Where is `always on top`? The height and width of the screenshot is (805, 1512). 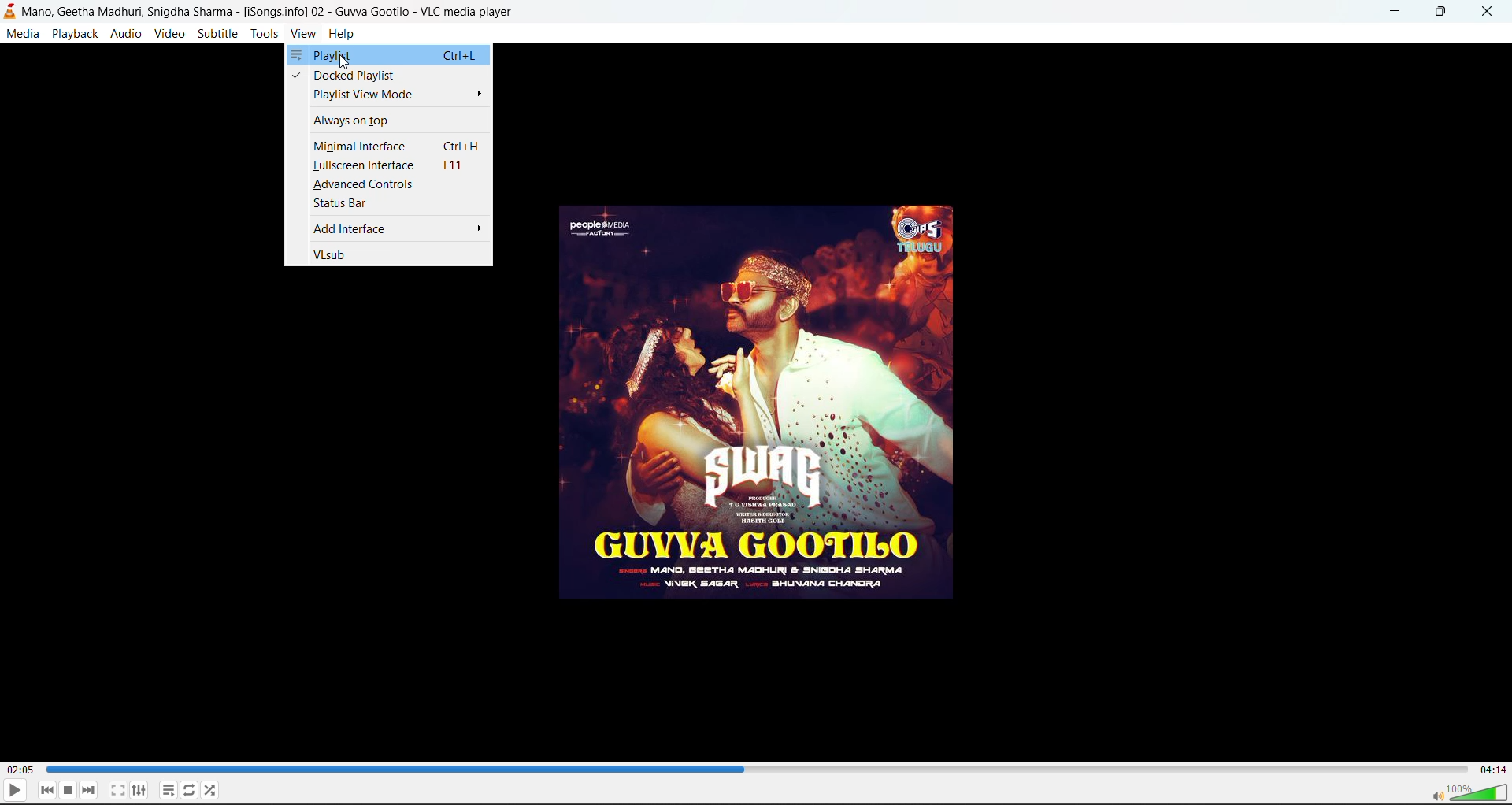 always on top is located at coordinates (388, 123).